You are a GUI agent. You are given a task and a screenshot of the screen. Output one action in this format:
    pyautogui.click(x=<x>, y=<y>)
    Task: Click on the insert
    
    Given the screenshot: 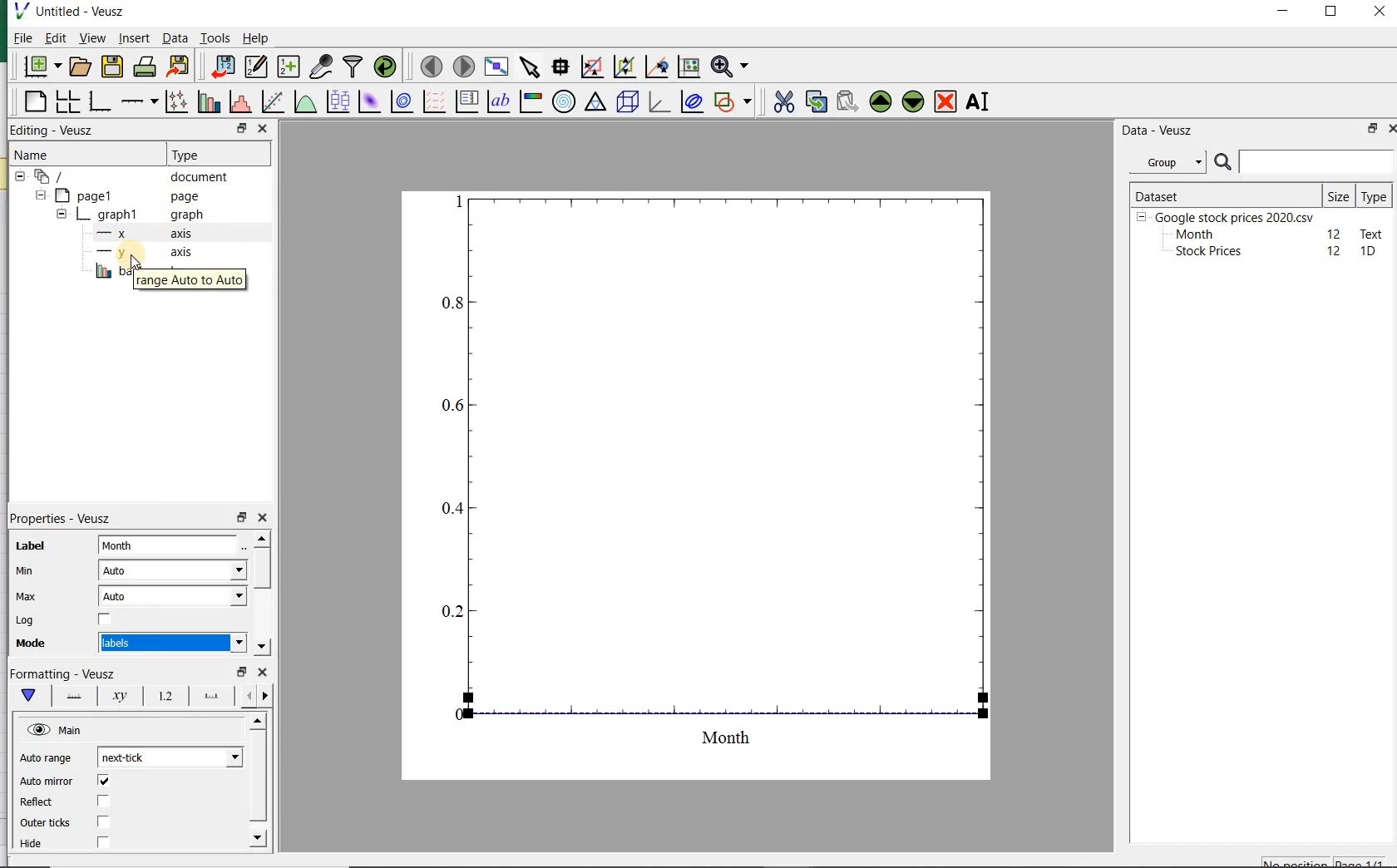 What is the action you would take?
    pyautogui.click(x=134, y=39)
    